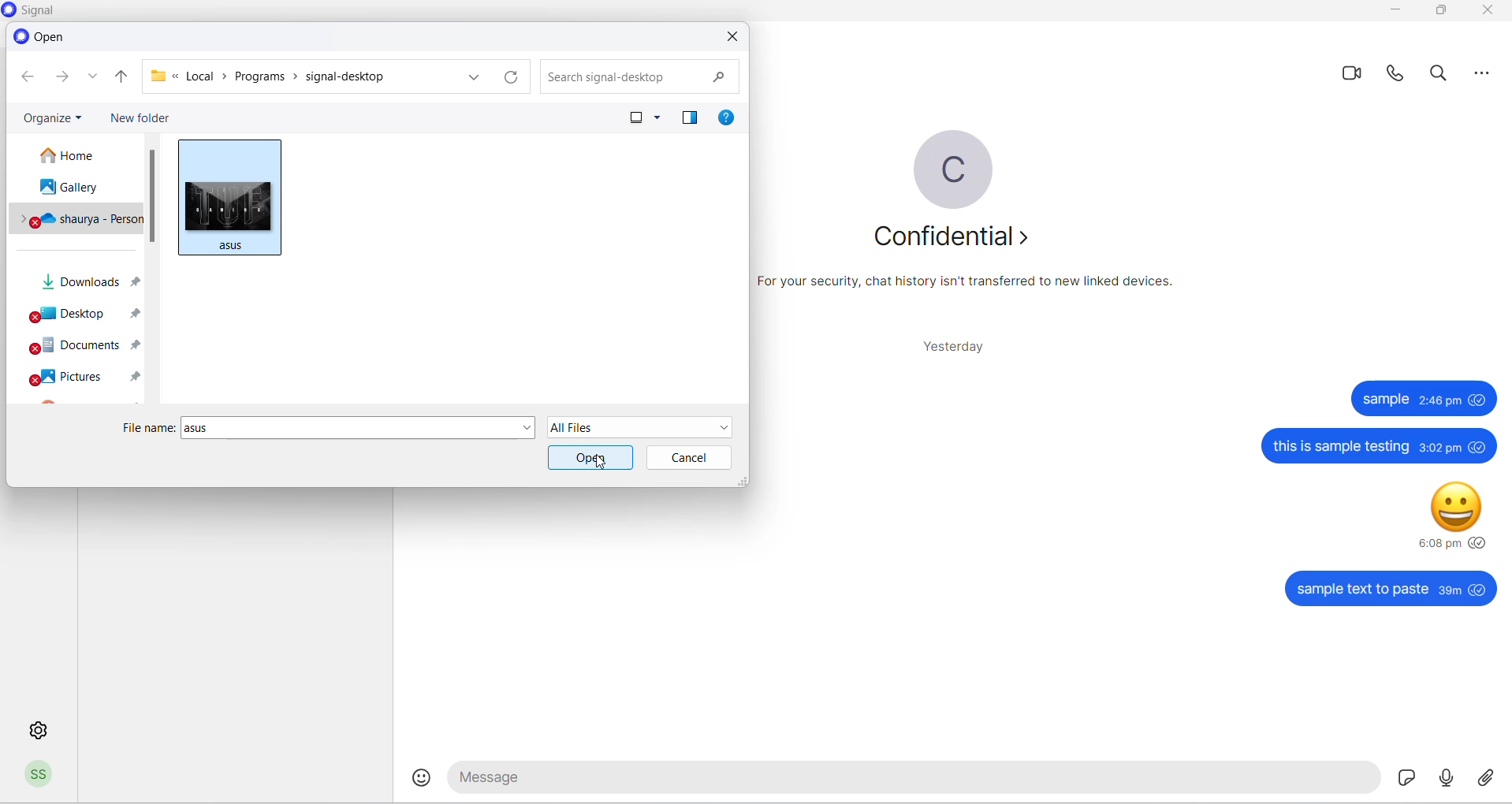 The width and height of the screenshot is (1512, 804). I want to click on downloads, so click(83, 285).